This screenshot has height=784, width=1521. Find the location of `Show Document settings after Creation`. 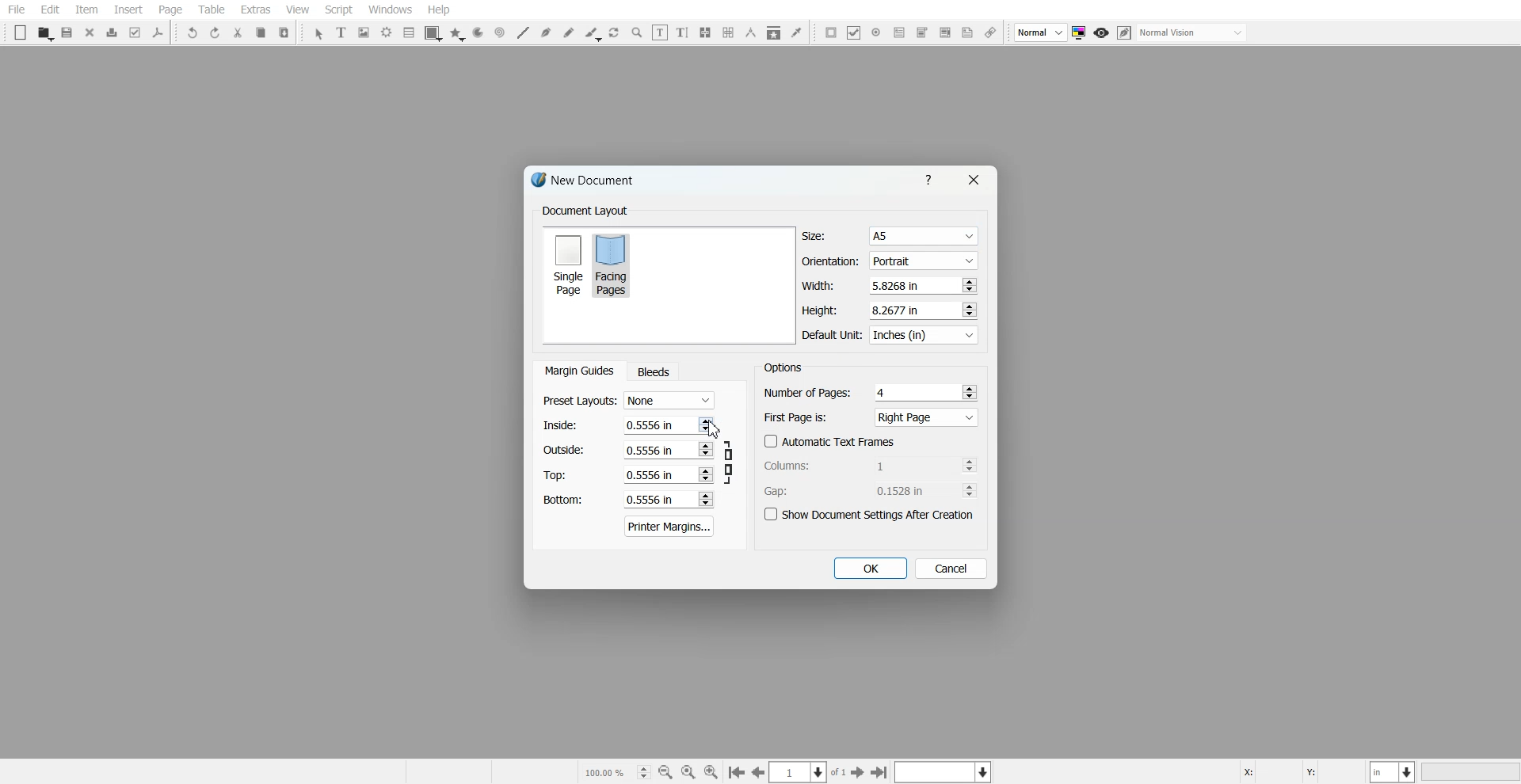

Show Document settings after Creation is located at coordinates (871, 515).